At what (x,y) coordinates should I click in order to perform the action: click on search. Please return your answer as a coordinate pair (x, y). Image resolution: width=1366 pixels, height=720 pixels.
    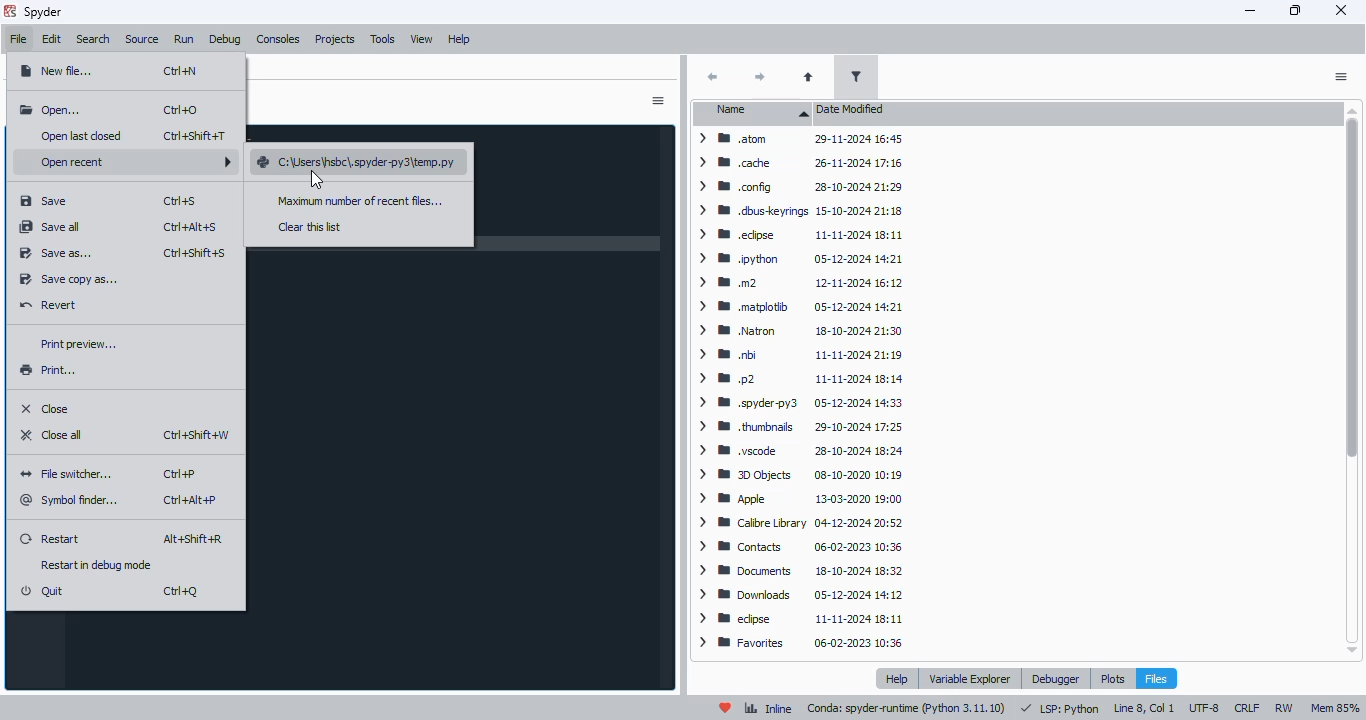
    Looking at the image, I should click on (93, 40).